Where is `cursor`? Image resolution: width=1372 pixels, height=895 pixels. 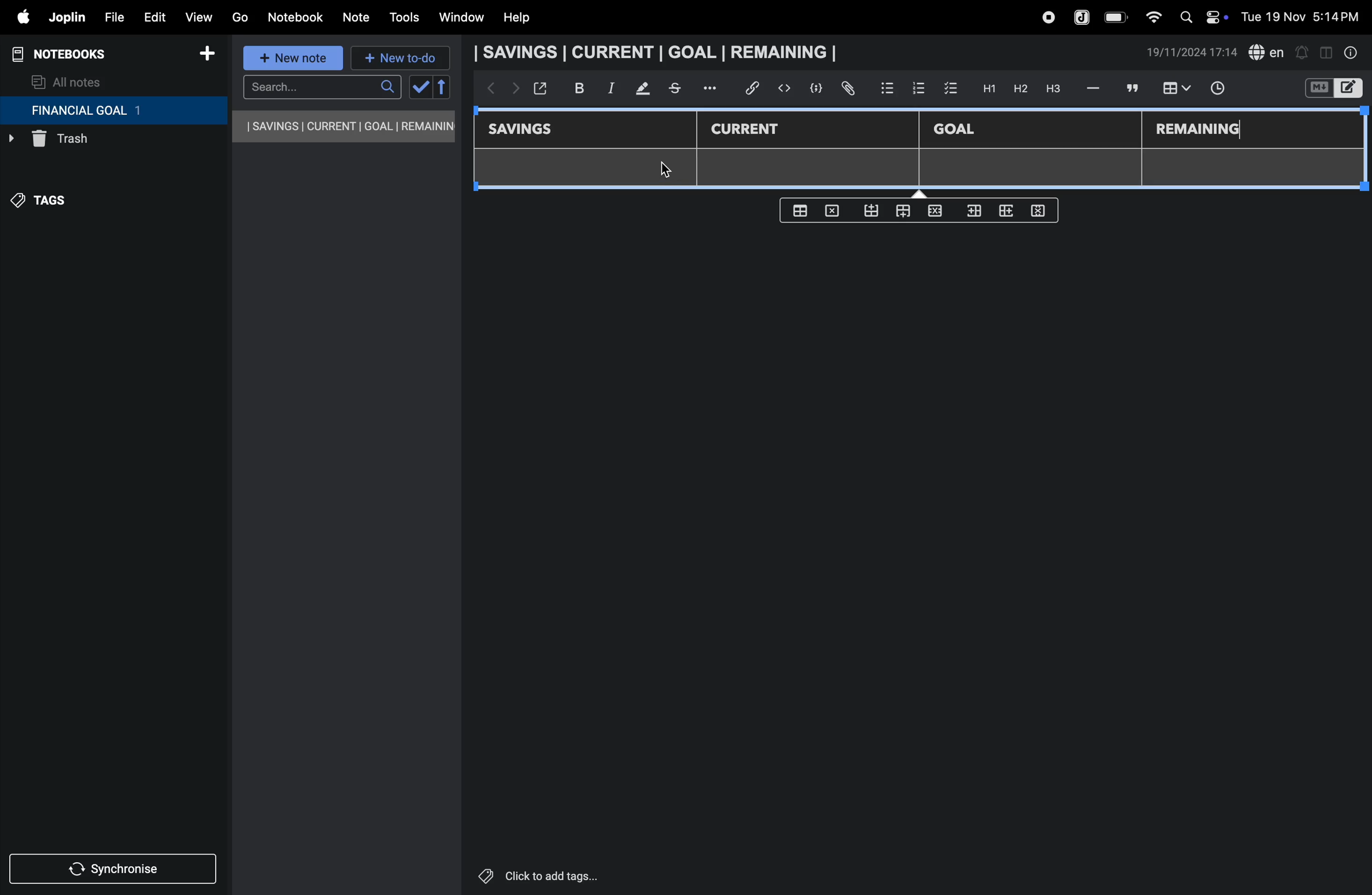 cursor is located at coordinates (666, 167).